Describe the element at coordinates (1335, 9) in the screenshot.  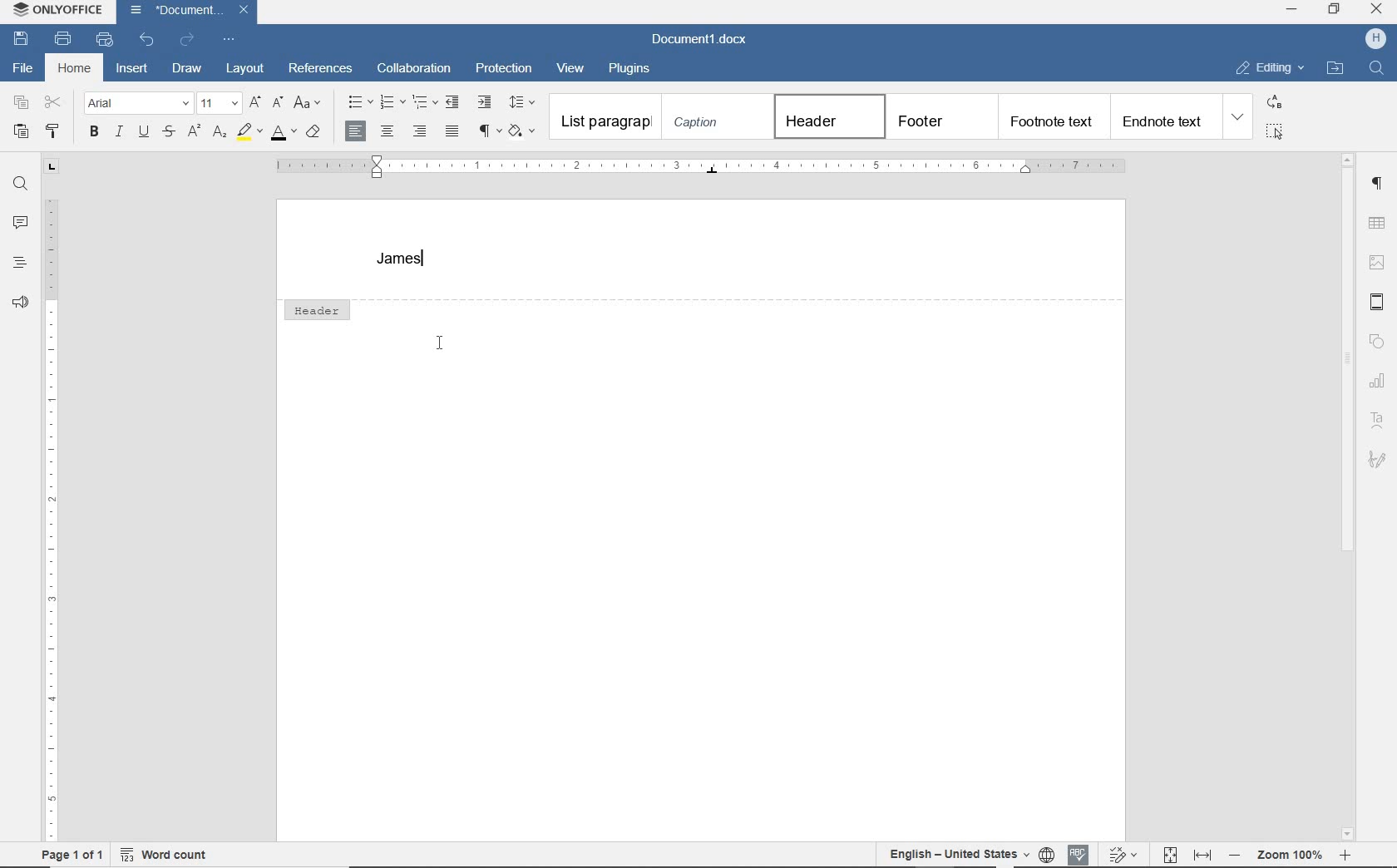
I see `RESTORE DOWN` at that location.